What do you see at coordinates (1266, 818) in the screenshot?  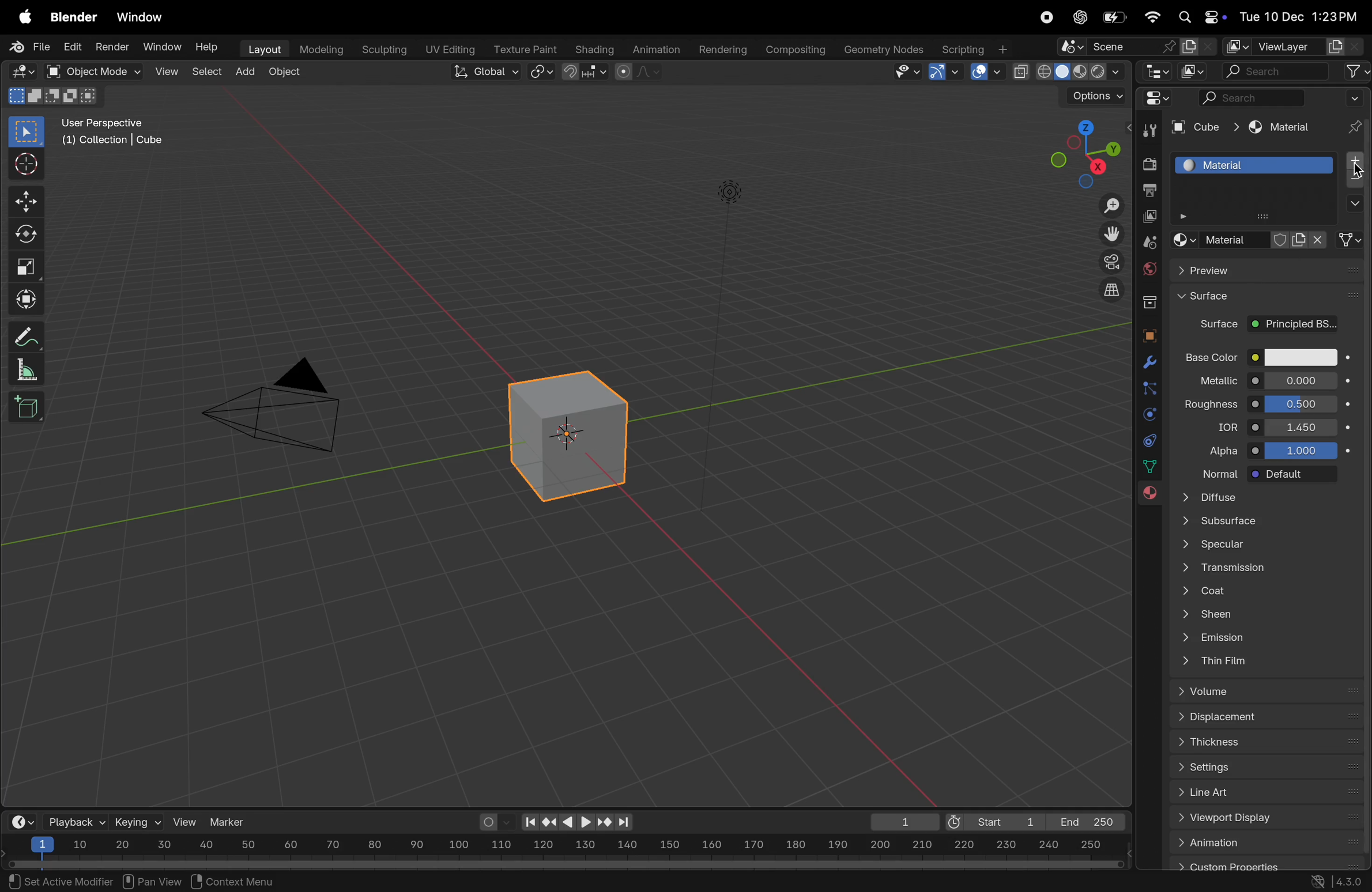 I see `view port display` at bounding box center [1266, 818].